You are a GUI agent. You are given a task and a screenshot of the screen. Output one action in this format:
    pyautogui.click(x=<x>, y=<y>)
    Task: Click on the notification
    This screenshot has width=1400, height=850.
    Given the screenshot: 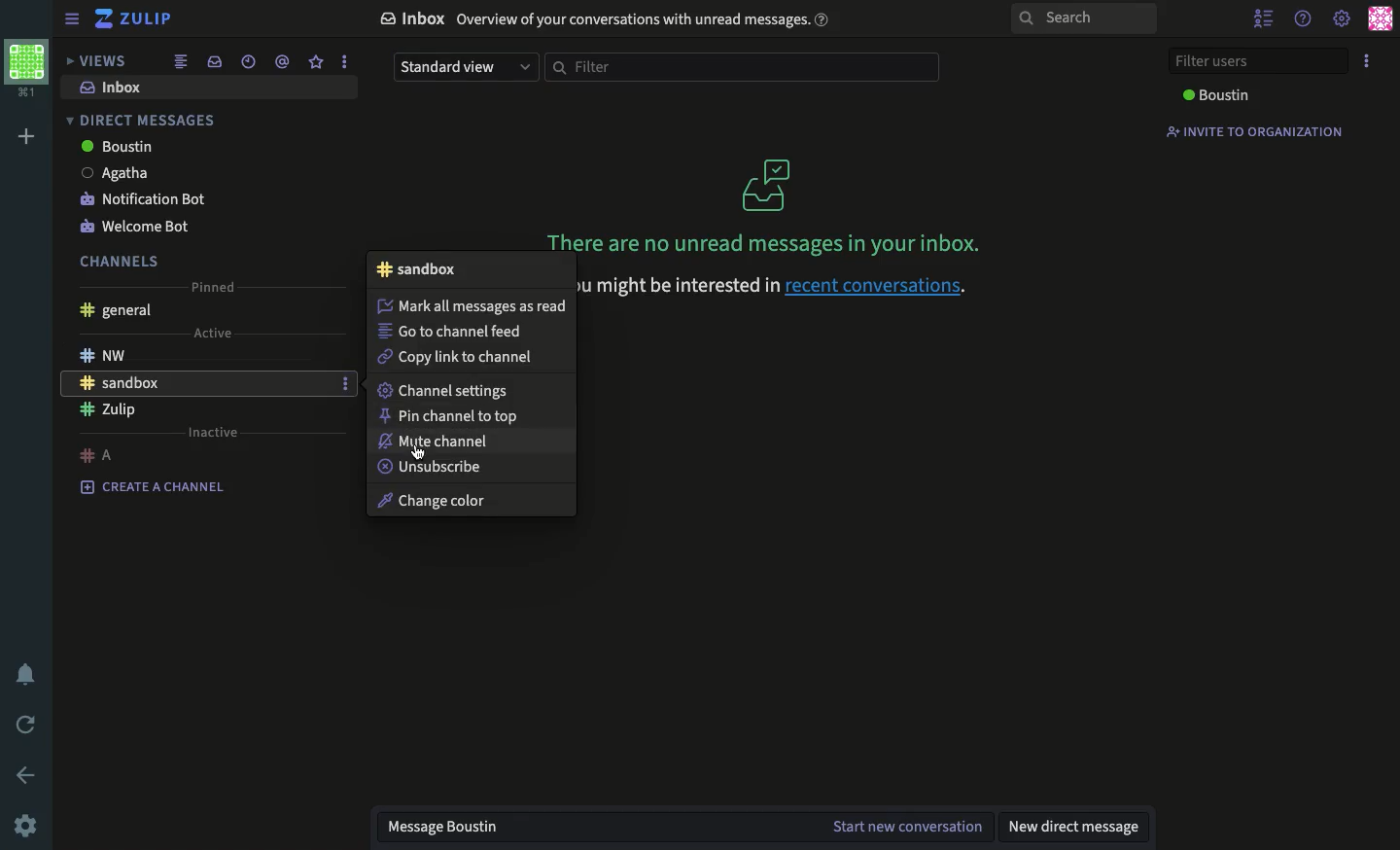 What is the action you would take?
    pyautogui.click(x=27, y=674)
    